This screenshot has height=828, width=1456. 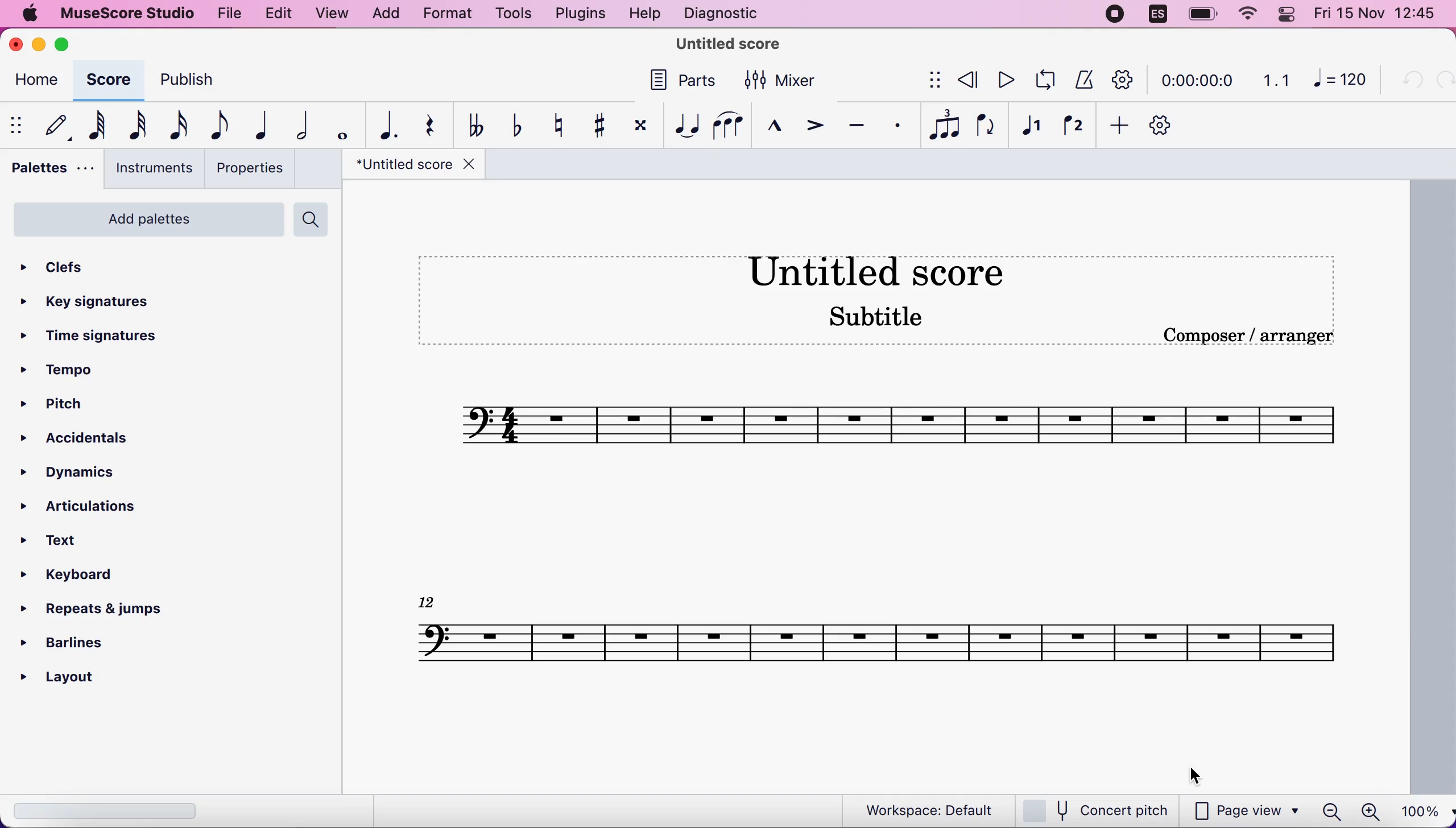 I want to click on format, so click(x=443, y=15).